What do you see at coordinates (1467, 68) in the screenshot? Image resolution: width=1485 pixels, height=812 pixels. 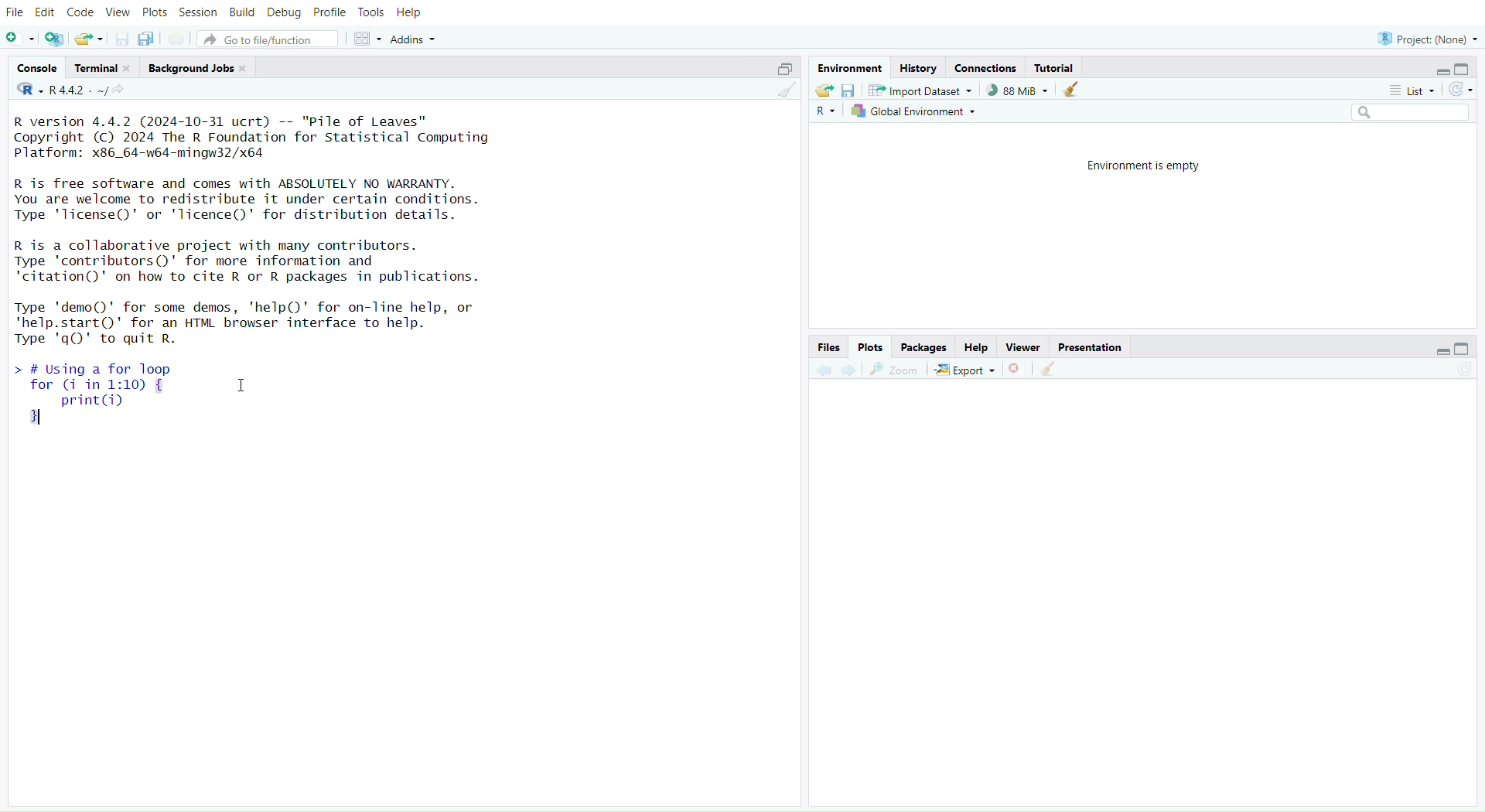 I see `collapse` at bounding box center [1467, 68].